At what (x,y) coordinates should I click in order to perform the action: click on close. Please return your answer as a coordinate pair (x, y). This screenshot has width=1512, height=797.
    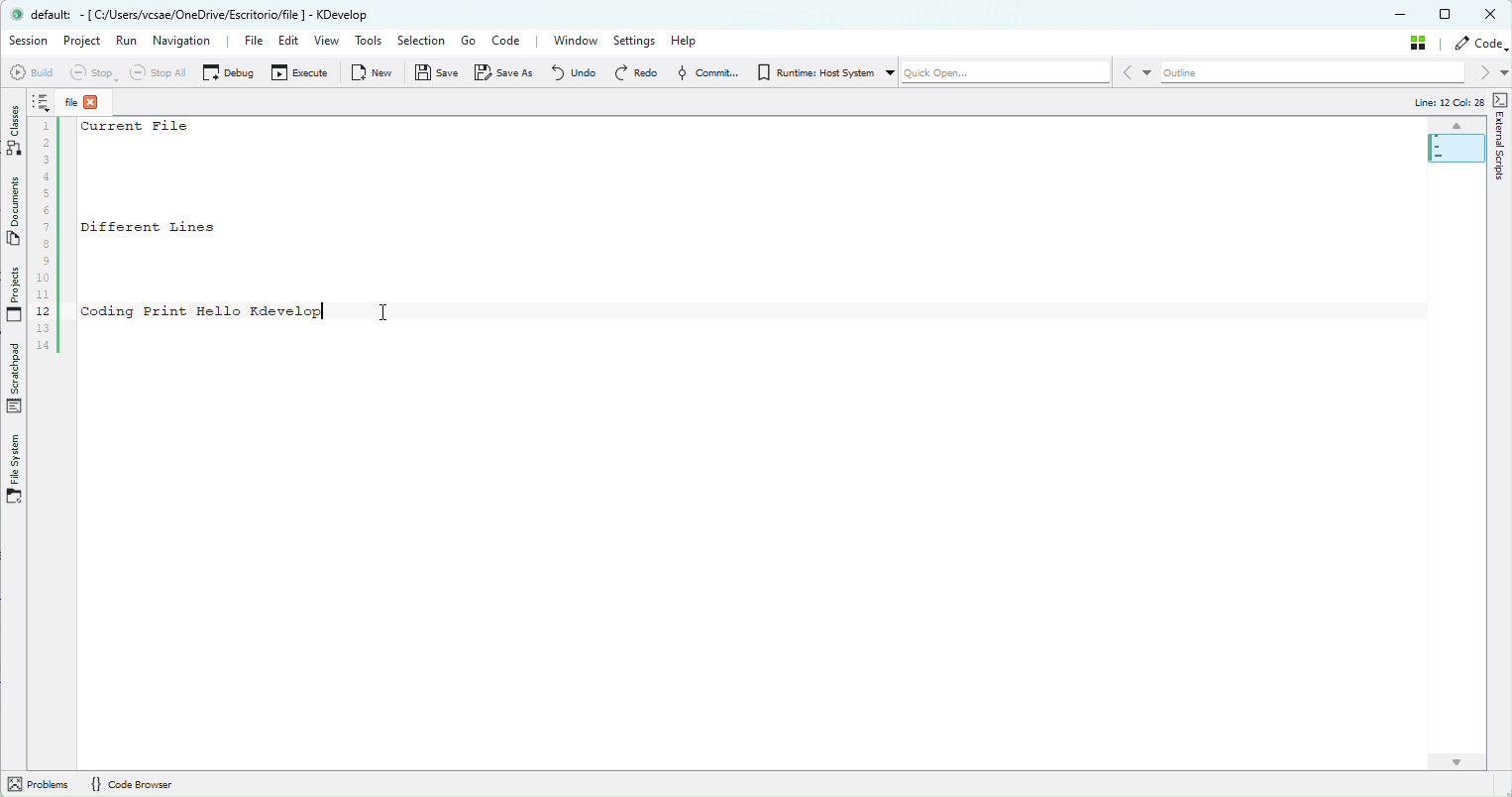
    Looking at the image, I should click on (1485, 13).